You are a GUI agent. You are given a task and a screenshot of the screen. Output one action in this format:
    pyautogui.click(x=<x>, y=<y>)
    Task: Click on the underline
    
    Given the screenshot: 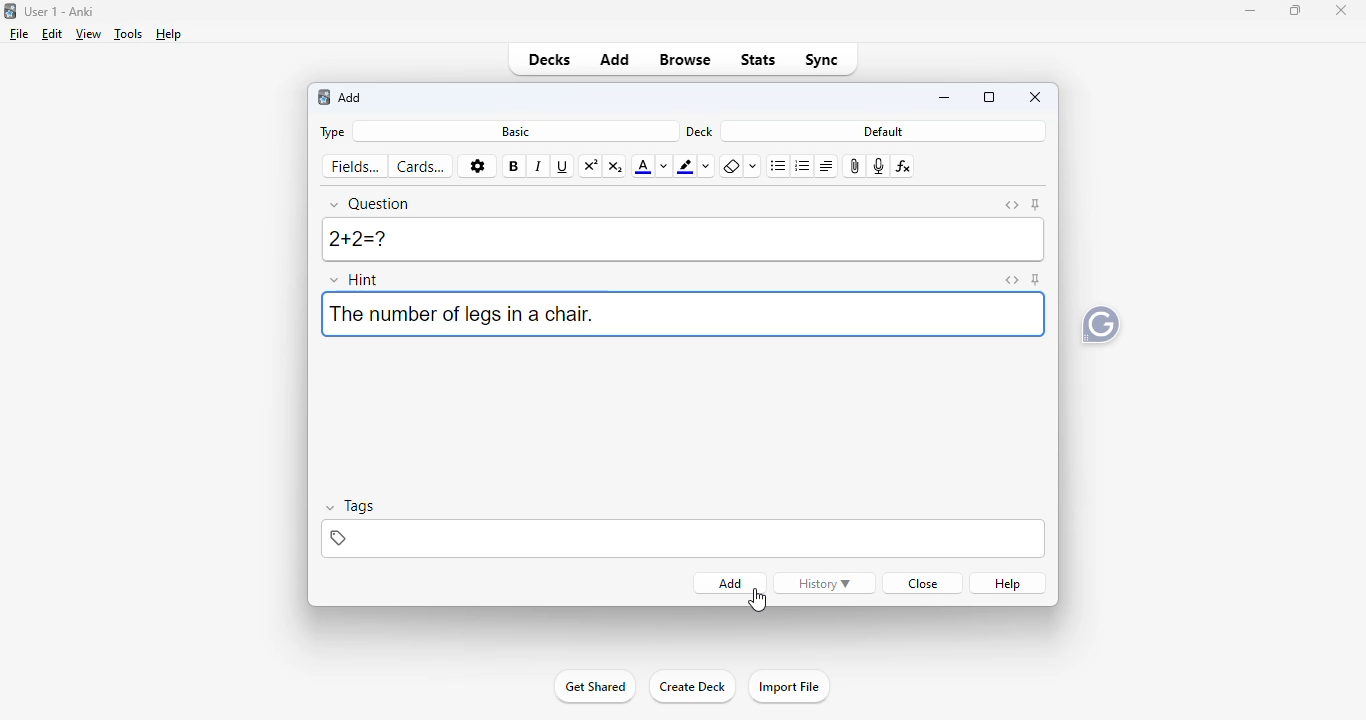 What is the action you would take?
    pyautogui.click(x=563, y=167)
    